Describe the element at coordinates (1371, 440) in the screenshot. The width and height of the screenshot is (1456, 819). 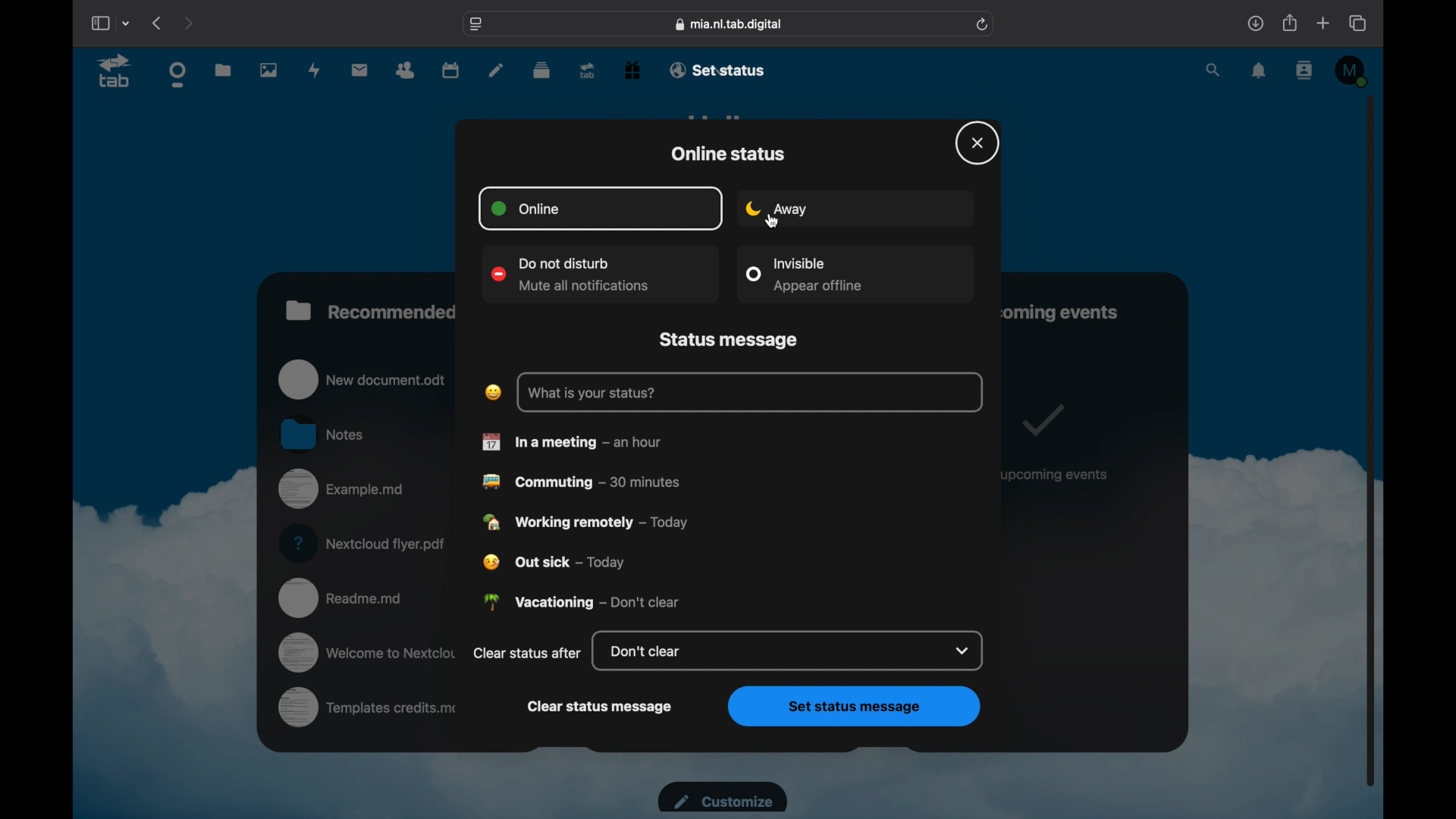
I see `scroll box` at that location.